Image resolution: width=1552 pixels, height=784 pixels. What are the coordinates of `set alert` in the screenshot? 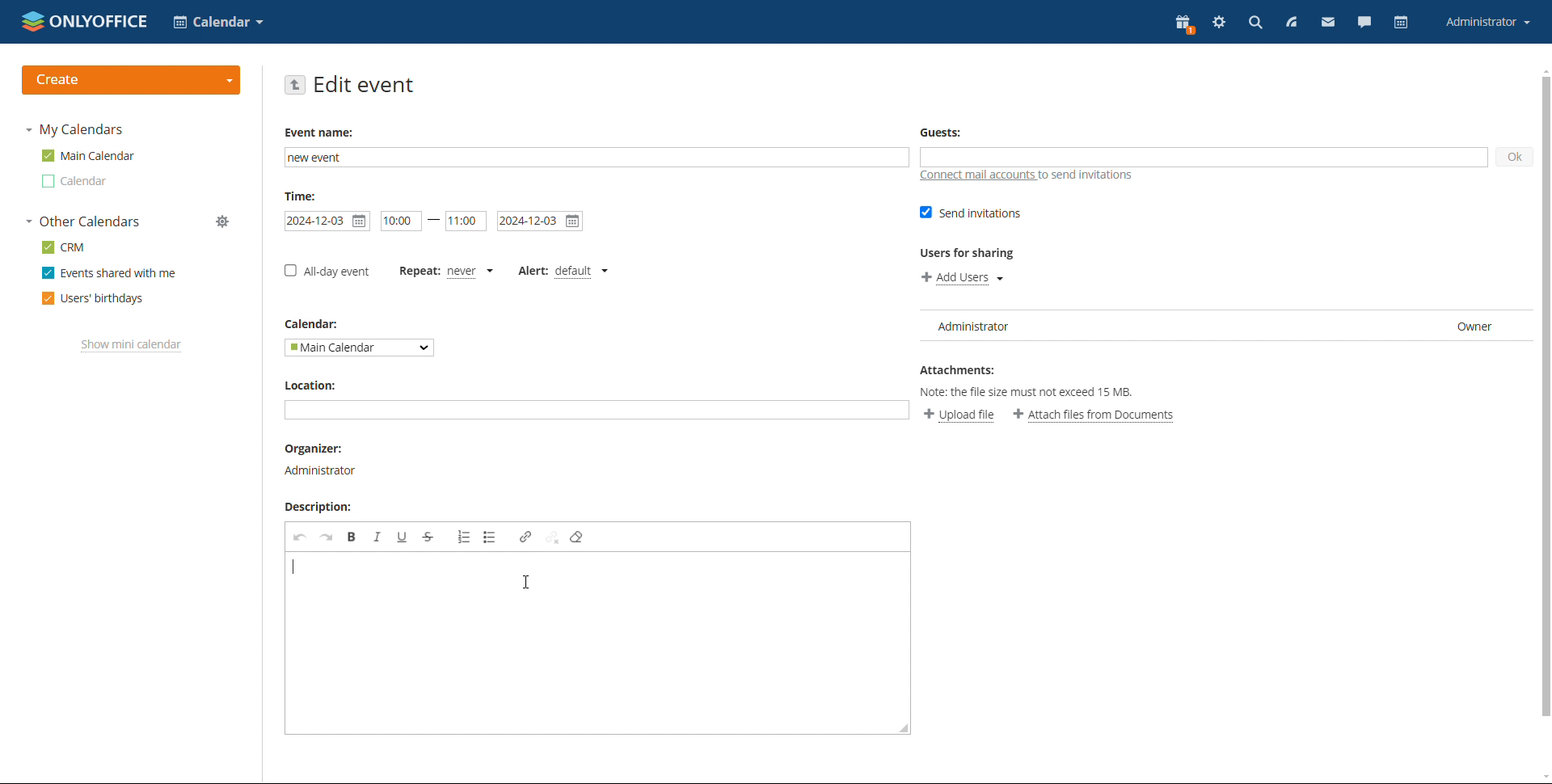 It's located at (562, 272).